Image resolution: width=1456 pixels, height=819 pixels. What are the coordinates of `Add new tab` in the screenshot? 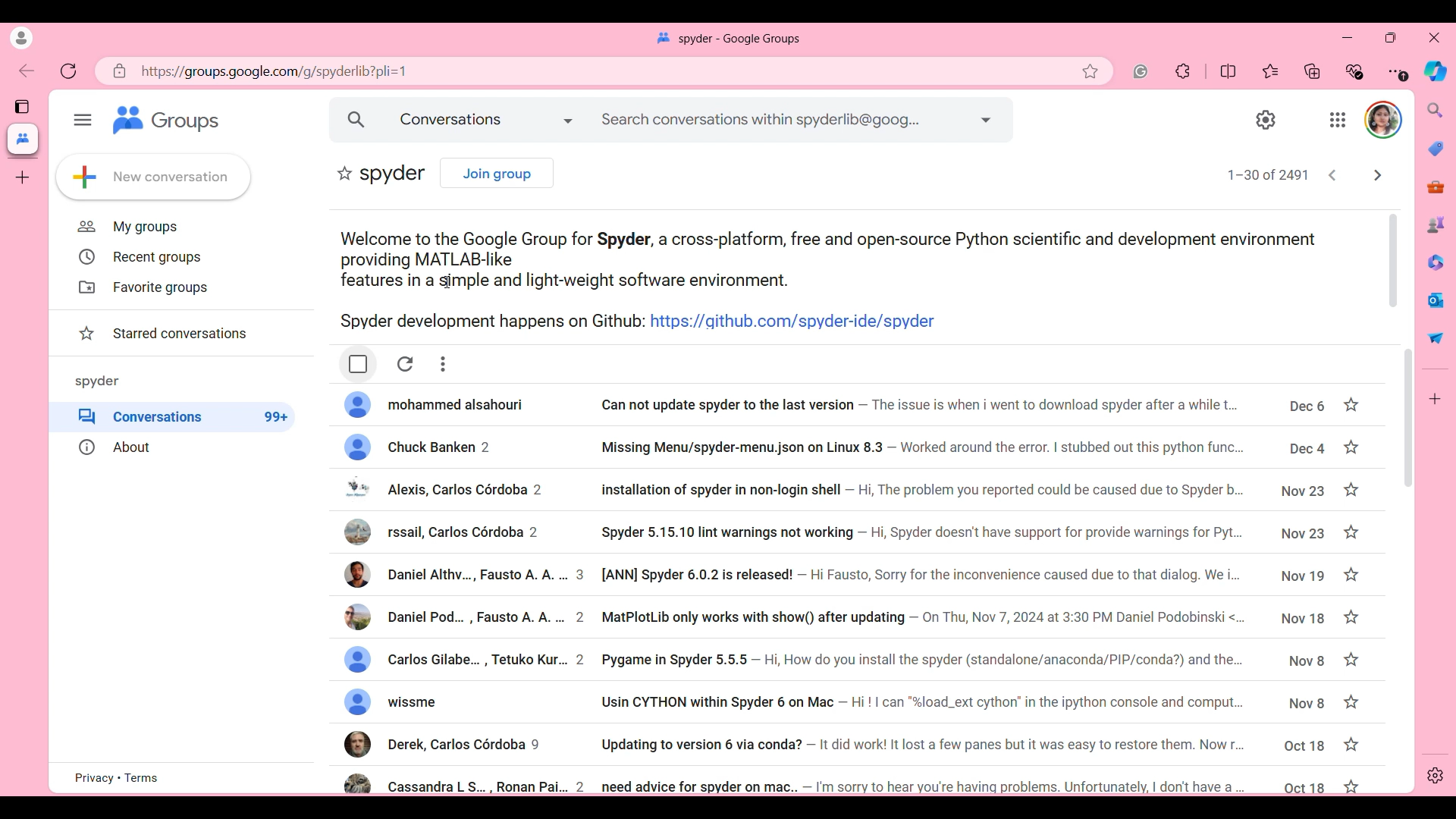 It's located at (23, 177).